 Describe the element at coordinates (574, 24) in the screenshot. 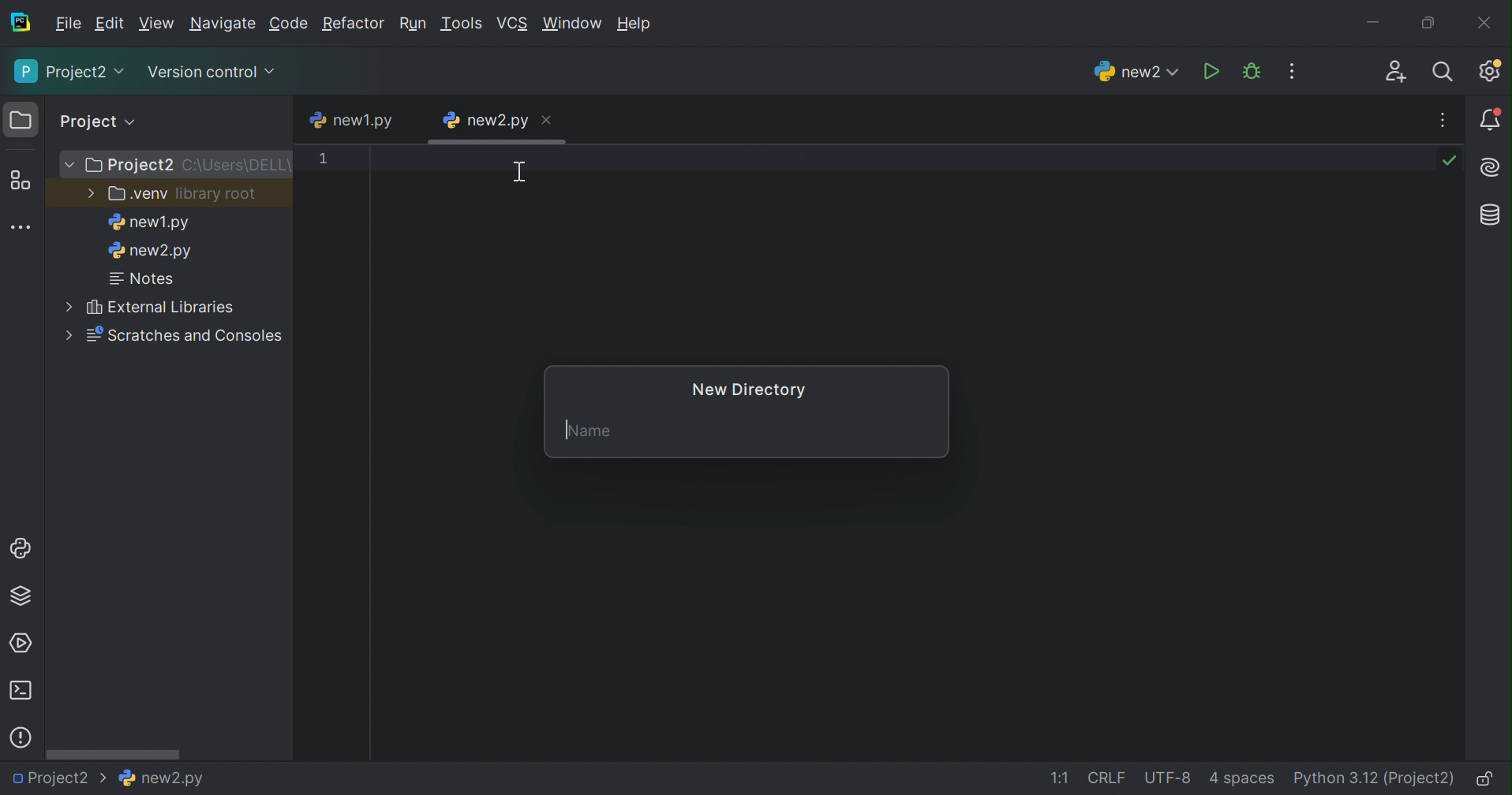

I see `Windows` at that location.